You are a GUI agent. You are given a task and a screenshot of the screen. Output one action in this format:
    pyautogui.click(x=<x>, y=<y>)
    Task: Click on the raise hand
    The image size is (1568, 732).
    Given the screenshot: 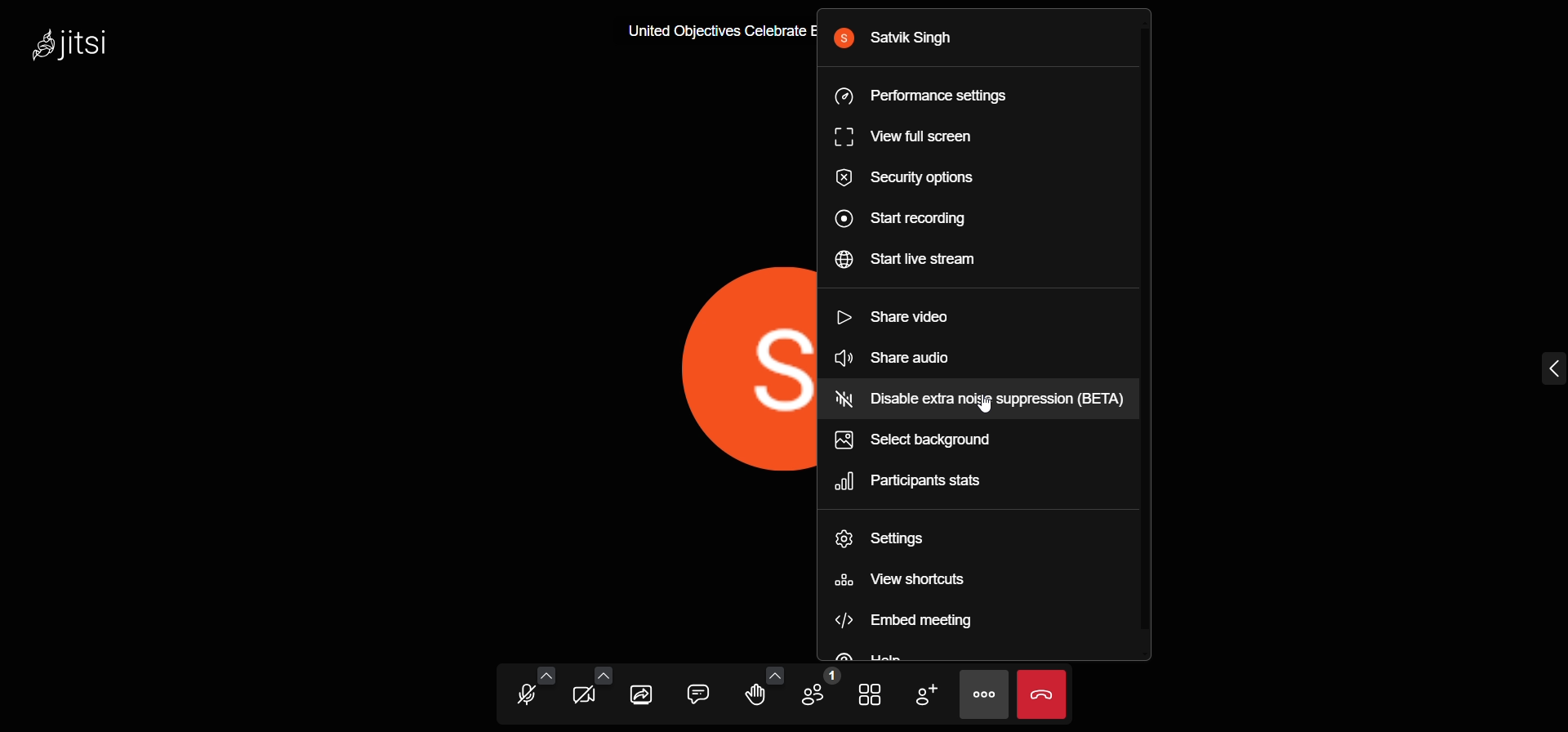 What is the action you would take?
    pyautogui.click(x=753, y=695)
    